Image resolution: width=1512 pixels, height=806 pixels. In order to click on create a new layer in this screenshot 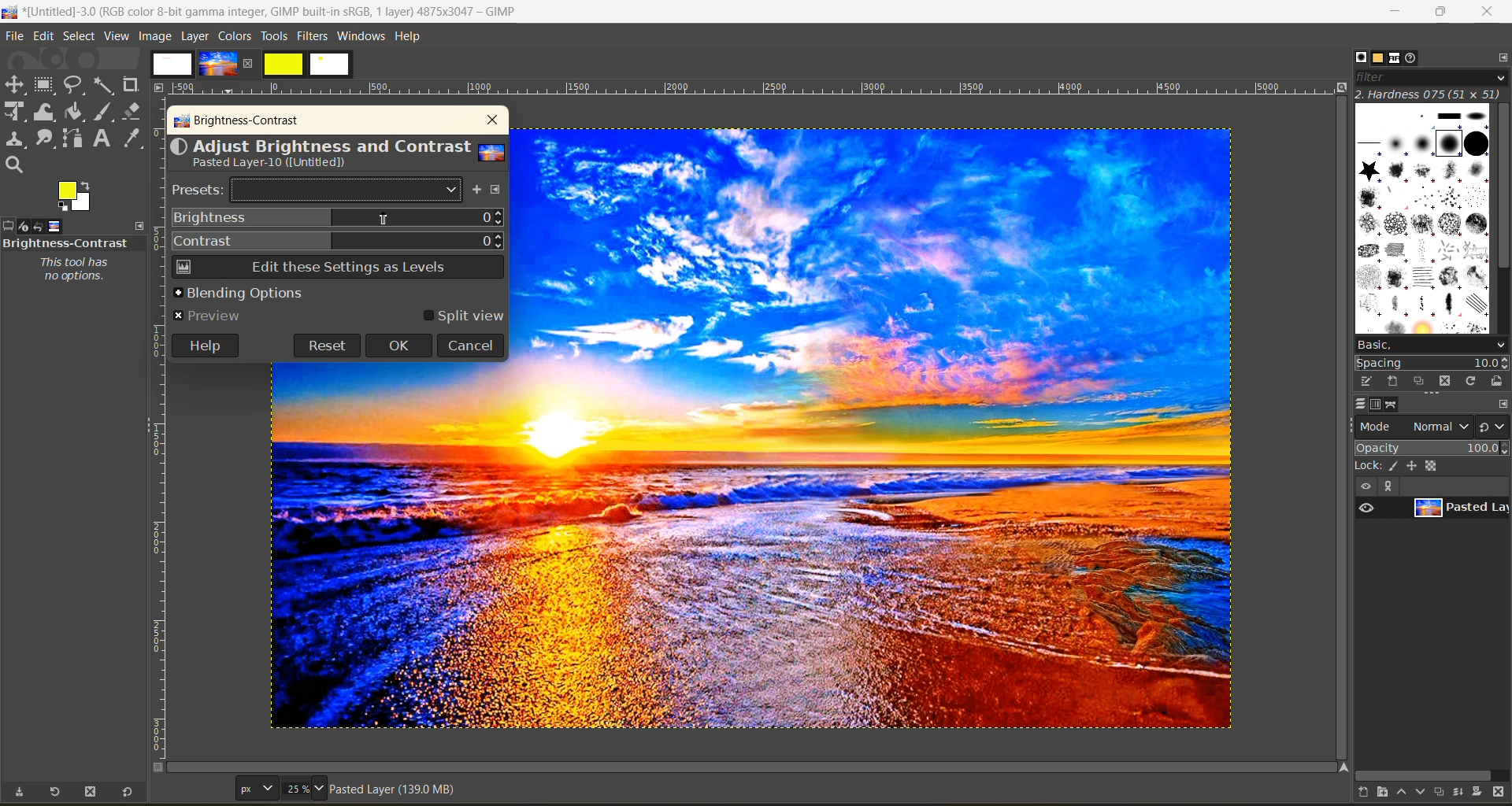, I will do `click(1369, 794)`.